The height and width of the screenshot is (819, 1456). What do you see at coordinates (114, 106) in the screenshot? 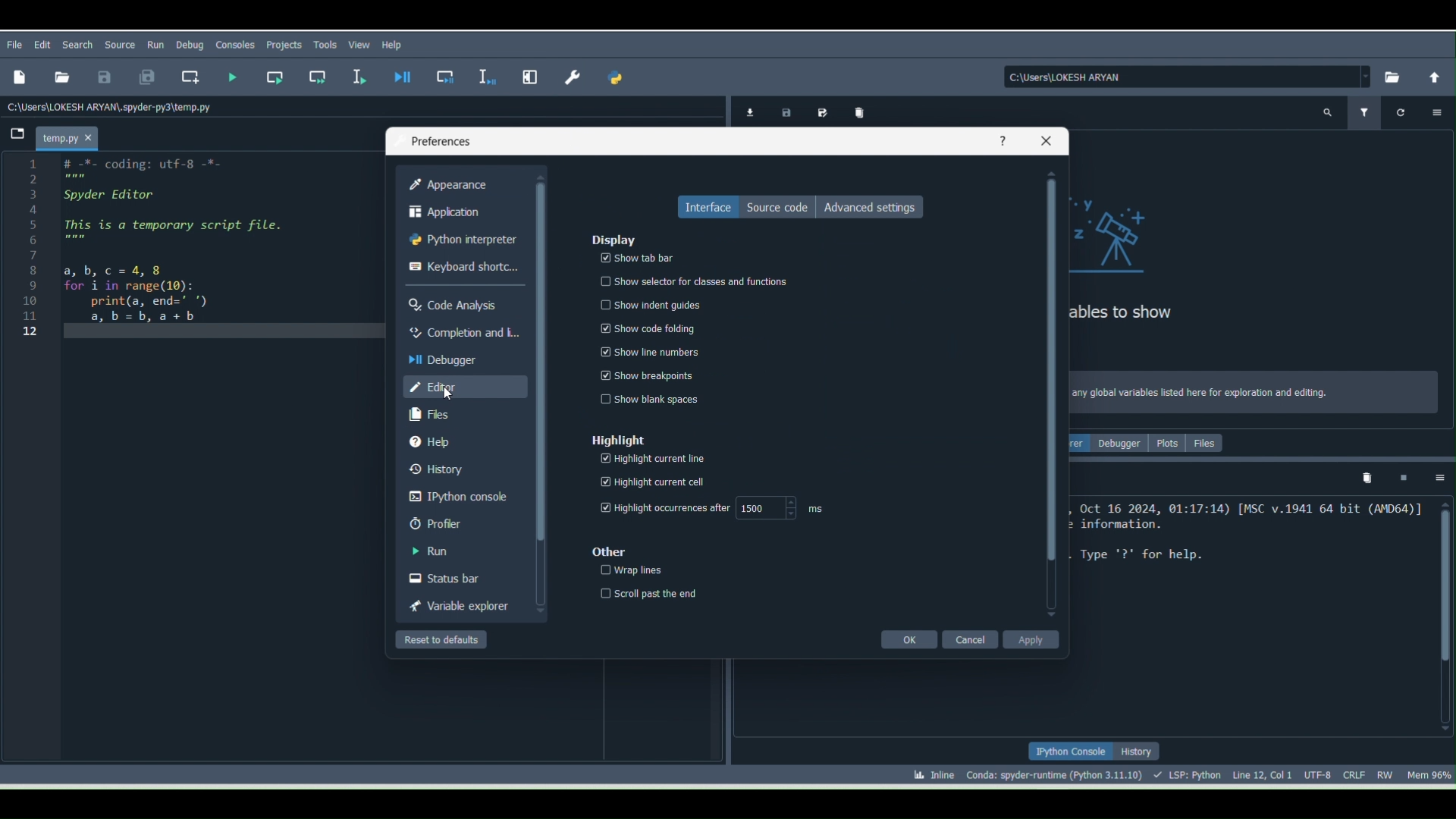
I see `File path` at bounding box center [114, 106].